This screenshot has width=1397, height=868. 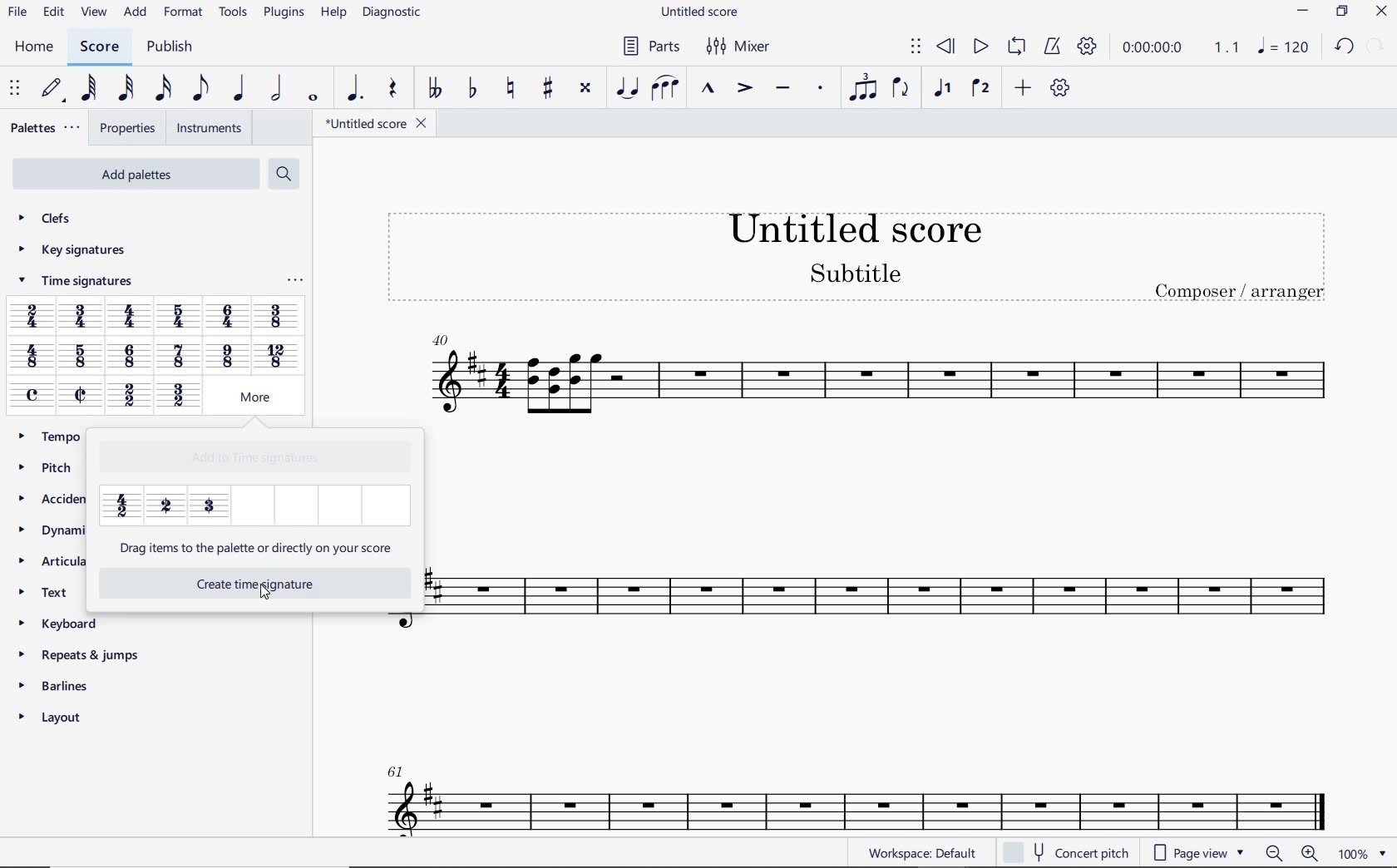 I want to click on NOTE, so click(x=1282, y=46).